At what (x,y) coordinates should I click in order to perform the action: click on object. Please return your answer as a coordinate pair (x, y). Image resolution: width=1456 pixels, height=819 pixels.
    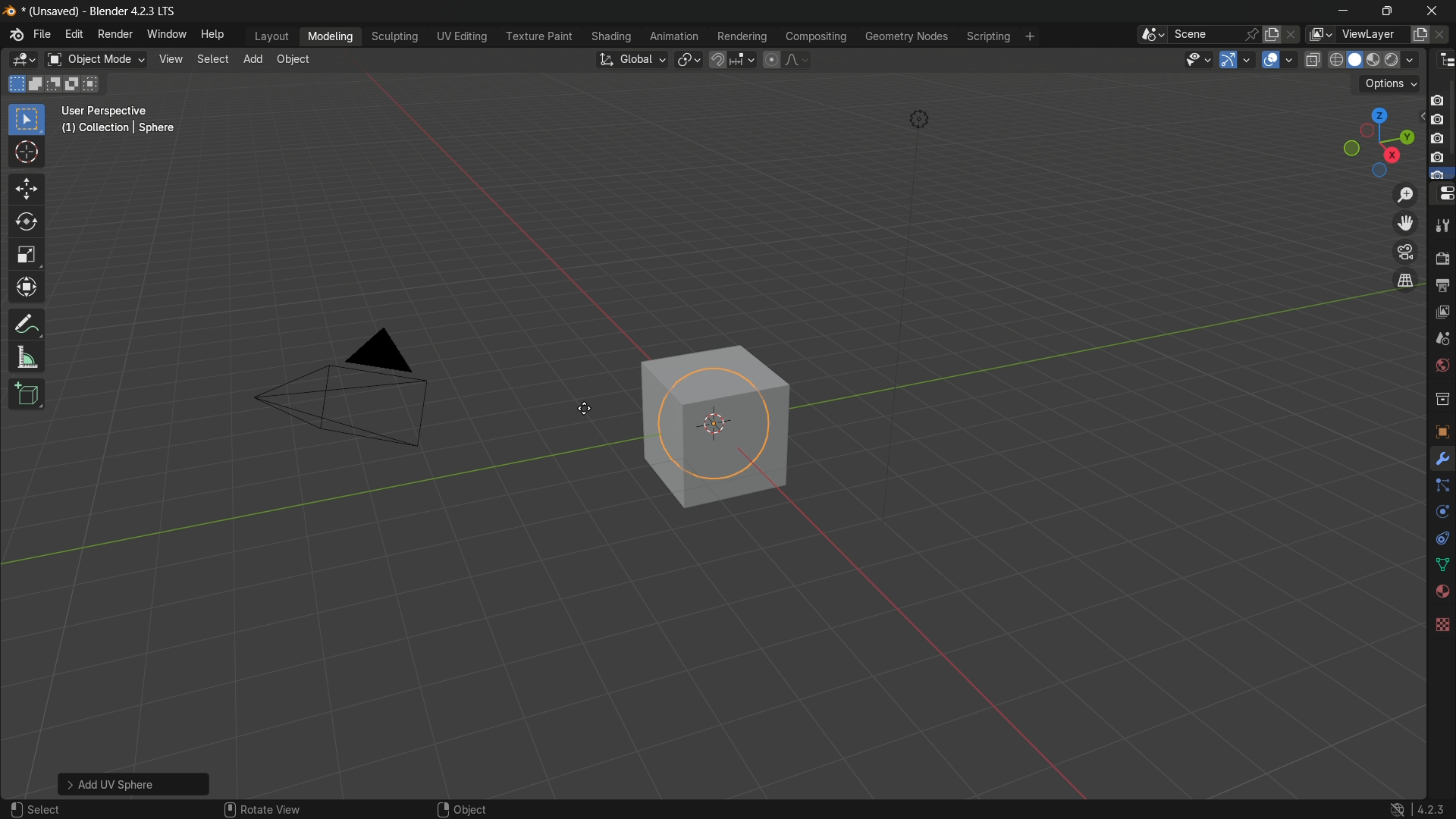
    Looking at the image, I should click on (293, 61).